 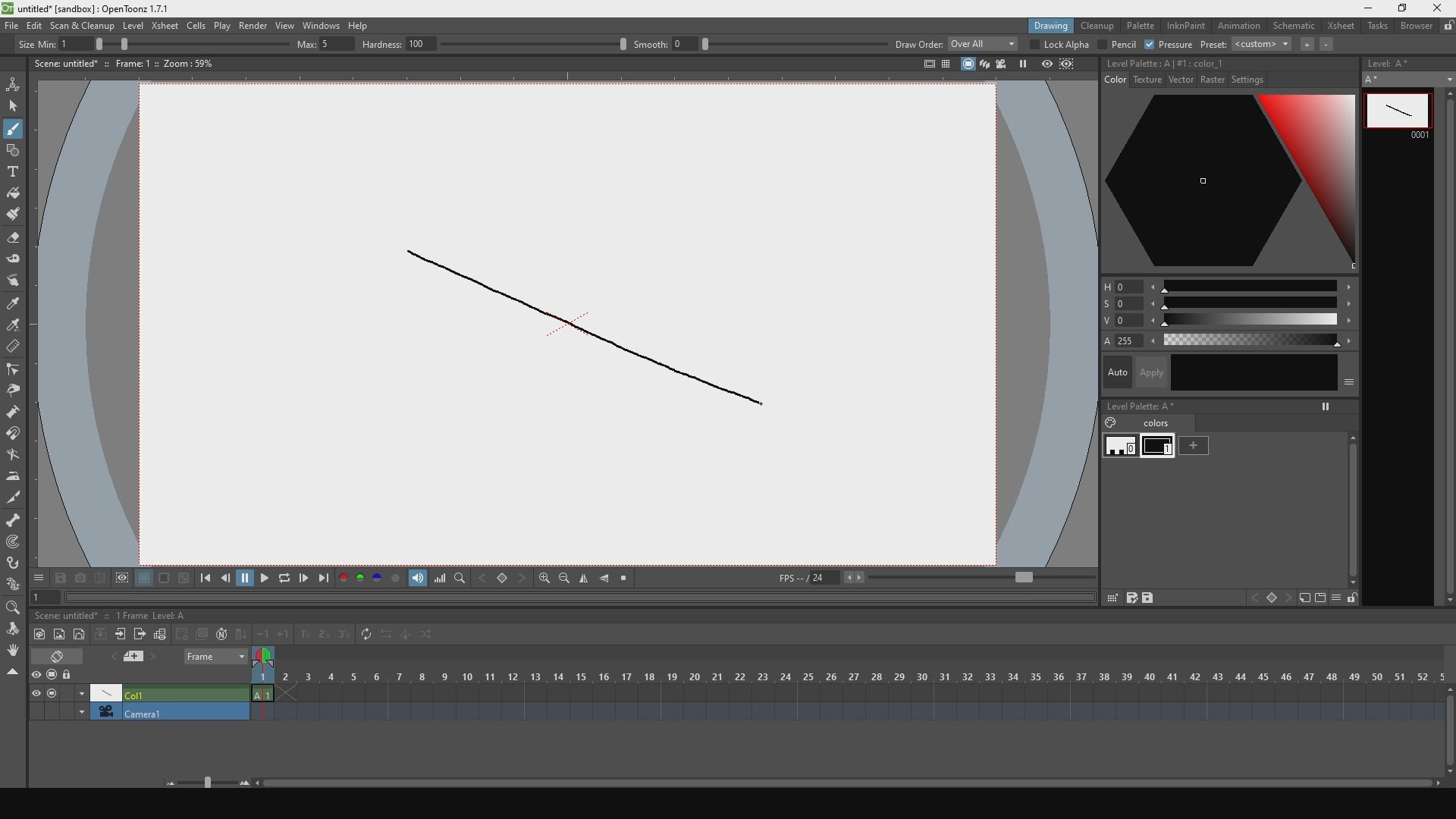 I want to click on color palette, so click(x=1225, y=185).